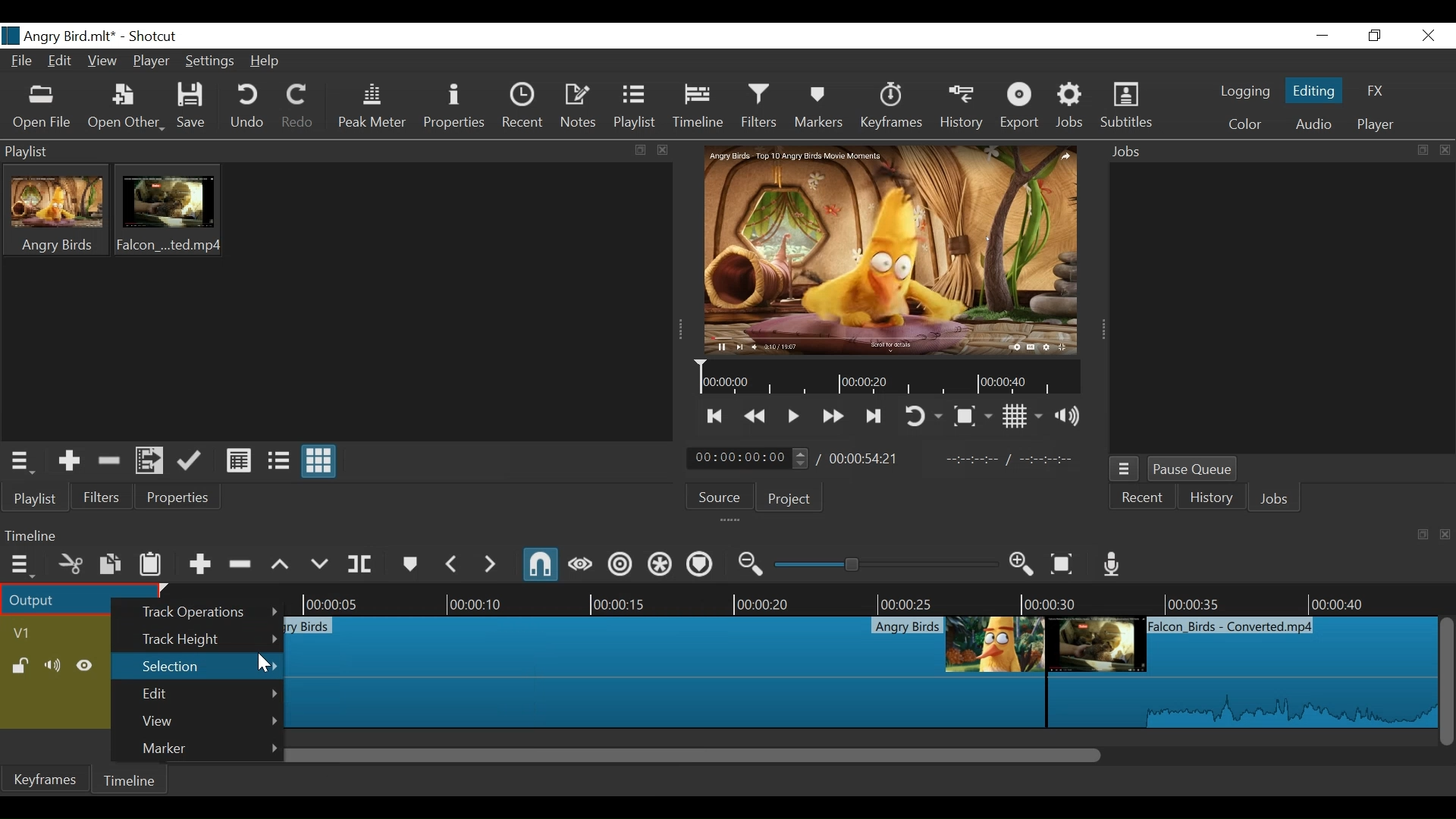 The width and height of the screenshot is (1456, 819). Describe the element at coordinates (189, 462) in the screenshot. I see `Update` at that location.